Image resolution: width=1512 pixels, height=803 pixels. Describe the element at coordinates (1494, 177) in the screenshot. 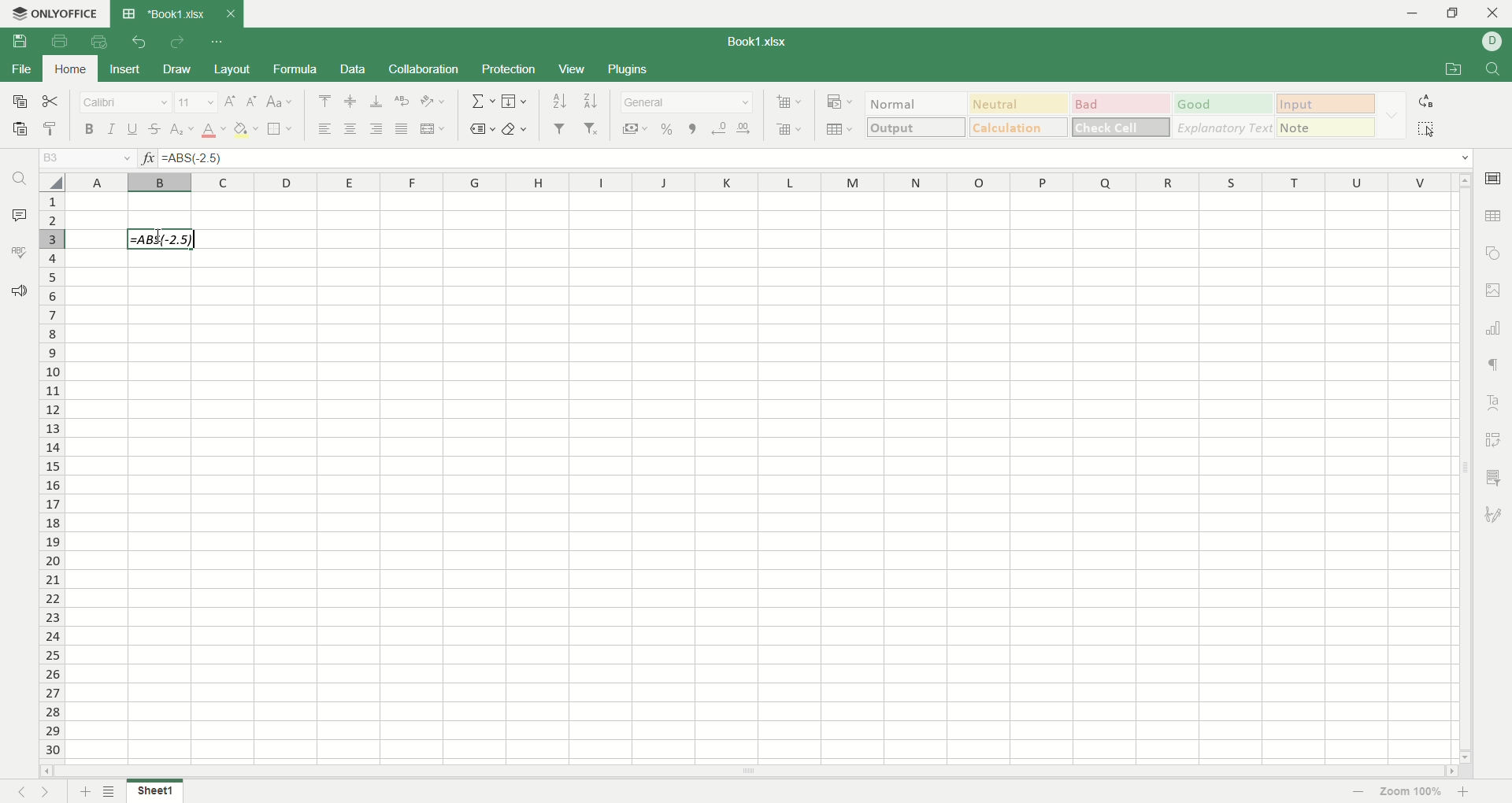

I see `cell setting` at that location.